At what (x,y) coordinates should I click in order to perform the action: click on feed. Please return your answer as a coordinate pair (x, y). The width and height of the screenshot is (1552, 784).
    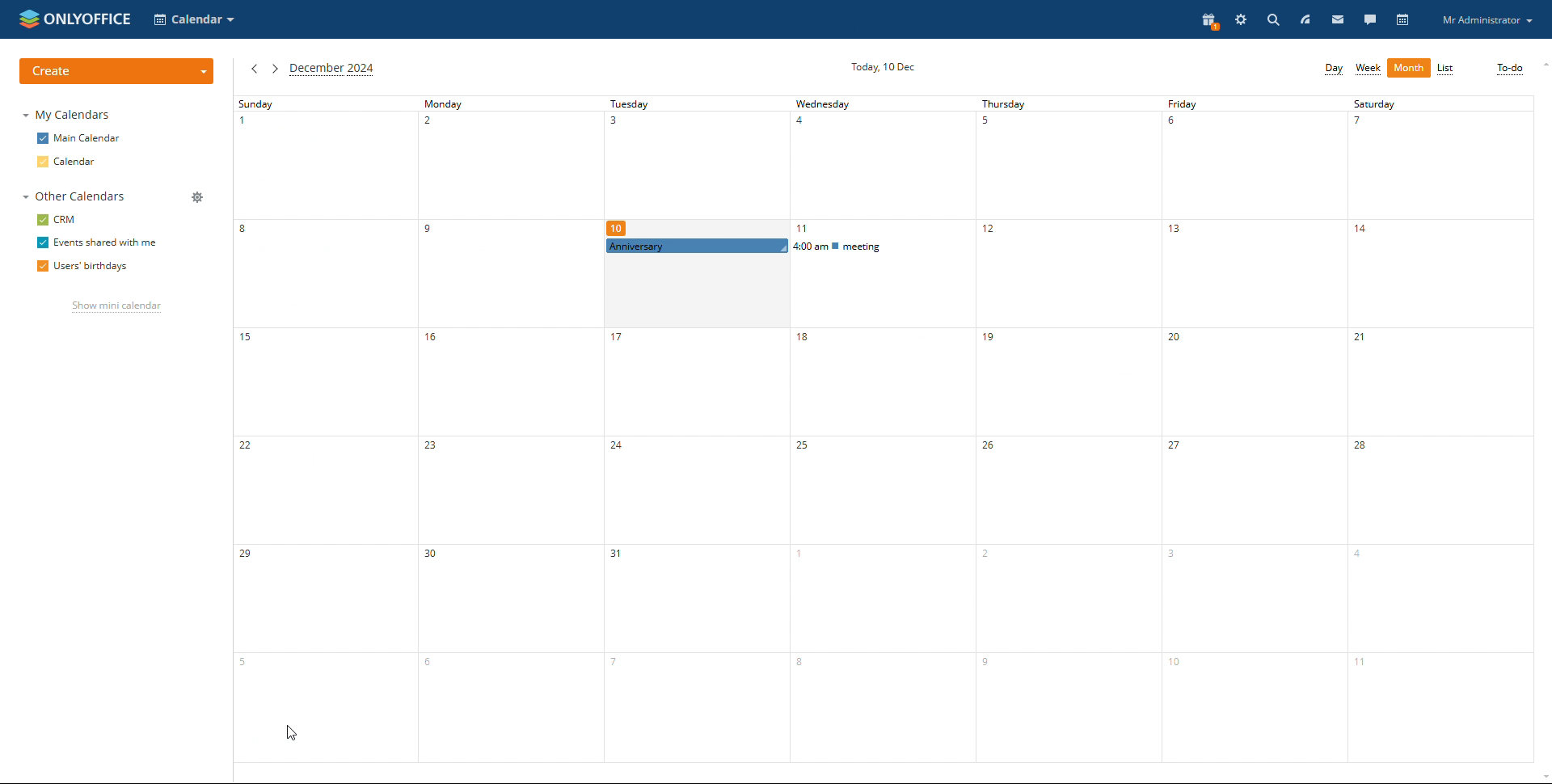
    Looking at the image, I should click on (1304, 19).